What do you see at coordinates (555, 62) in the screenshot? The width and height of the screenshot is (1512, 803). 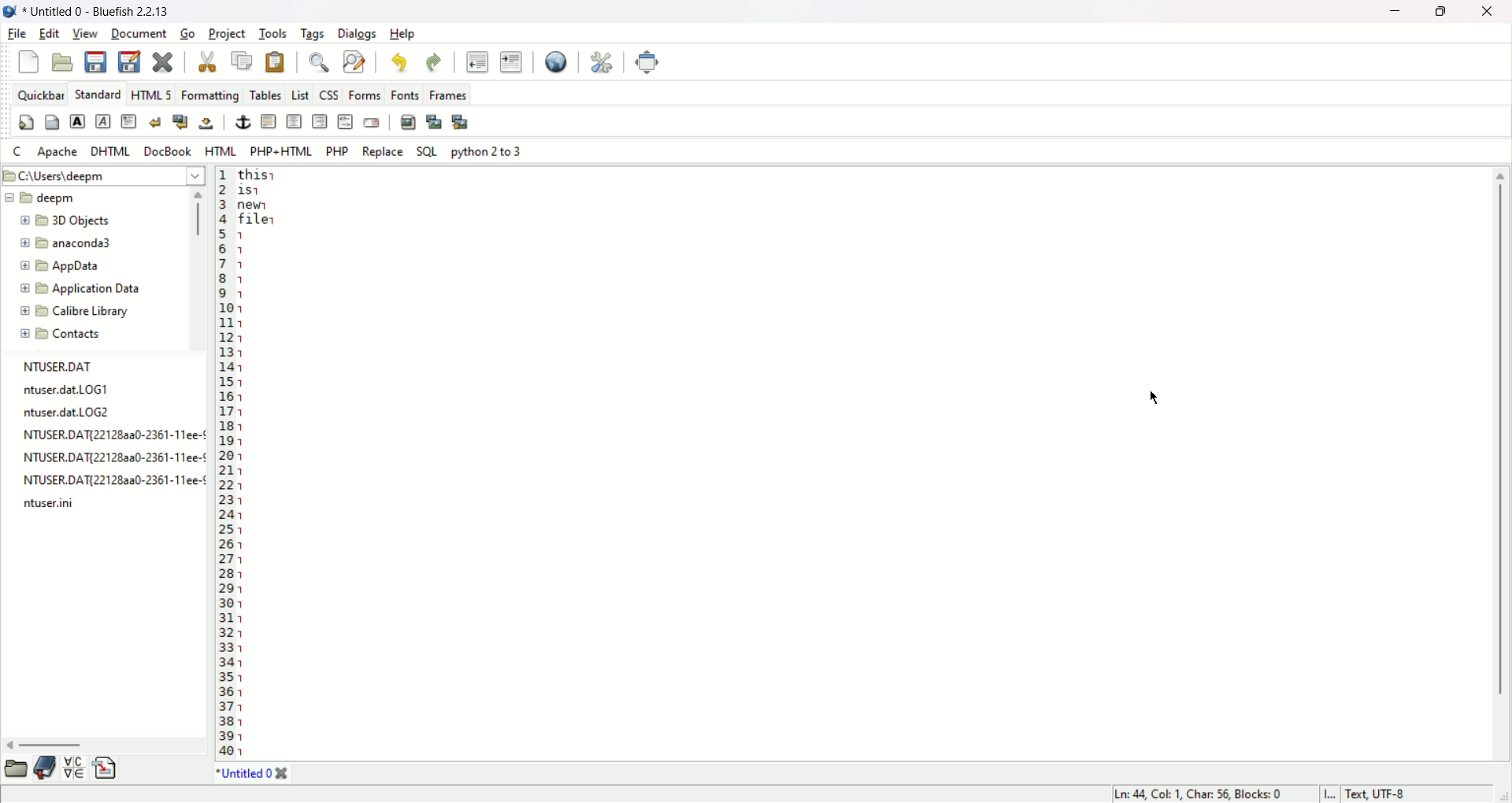 I see `view in browser` at bounding box center [555, 62].